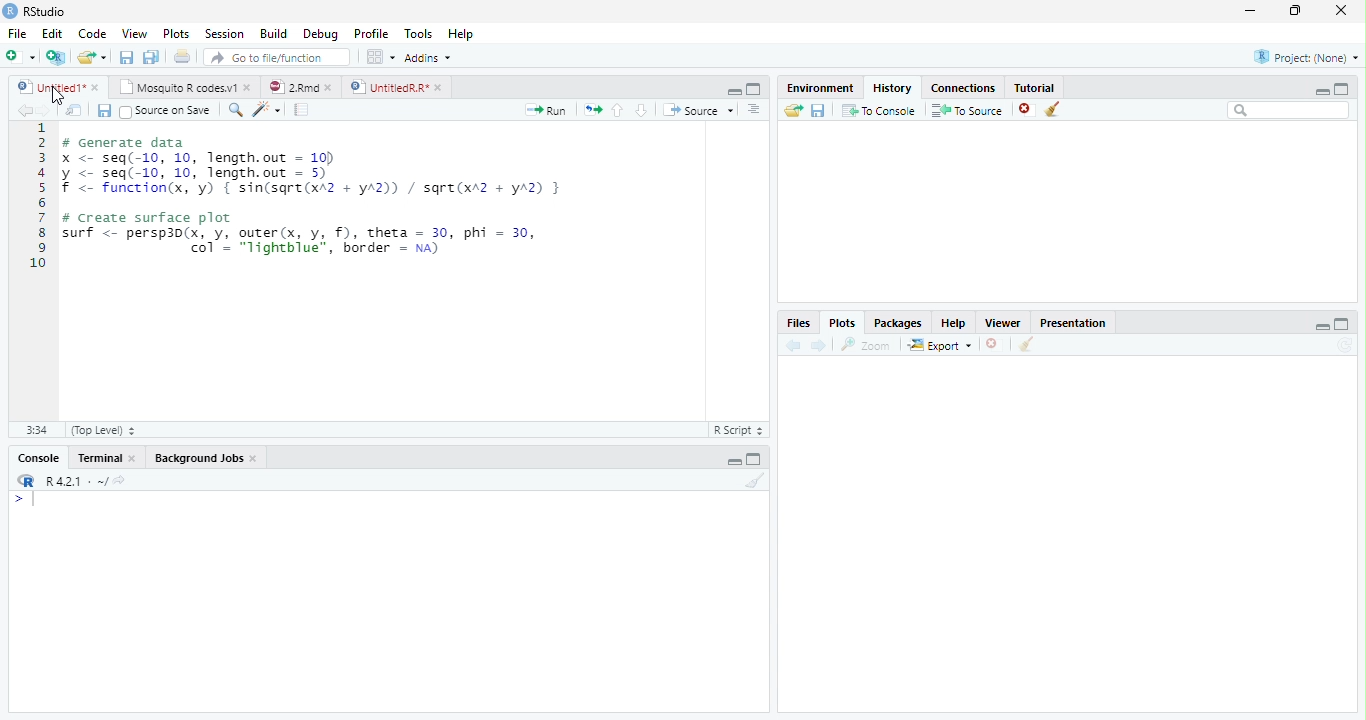 The height and width of the screenshot is (720, 1366). I want to click on View the current working directory, so click(120, 478).